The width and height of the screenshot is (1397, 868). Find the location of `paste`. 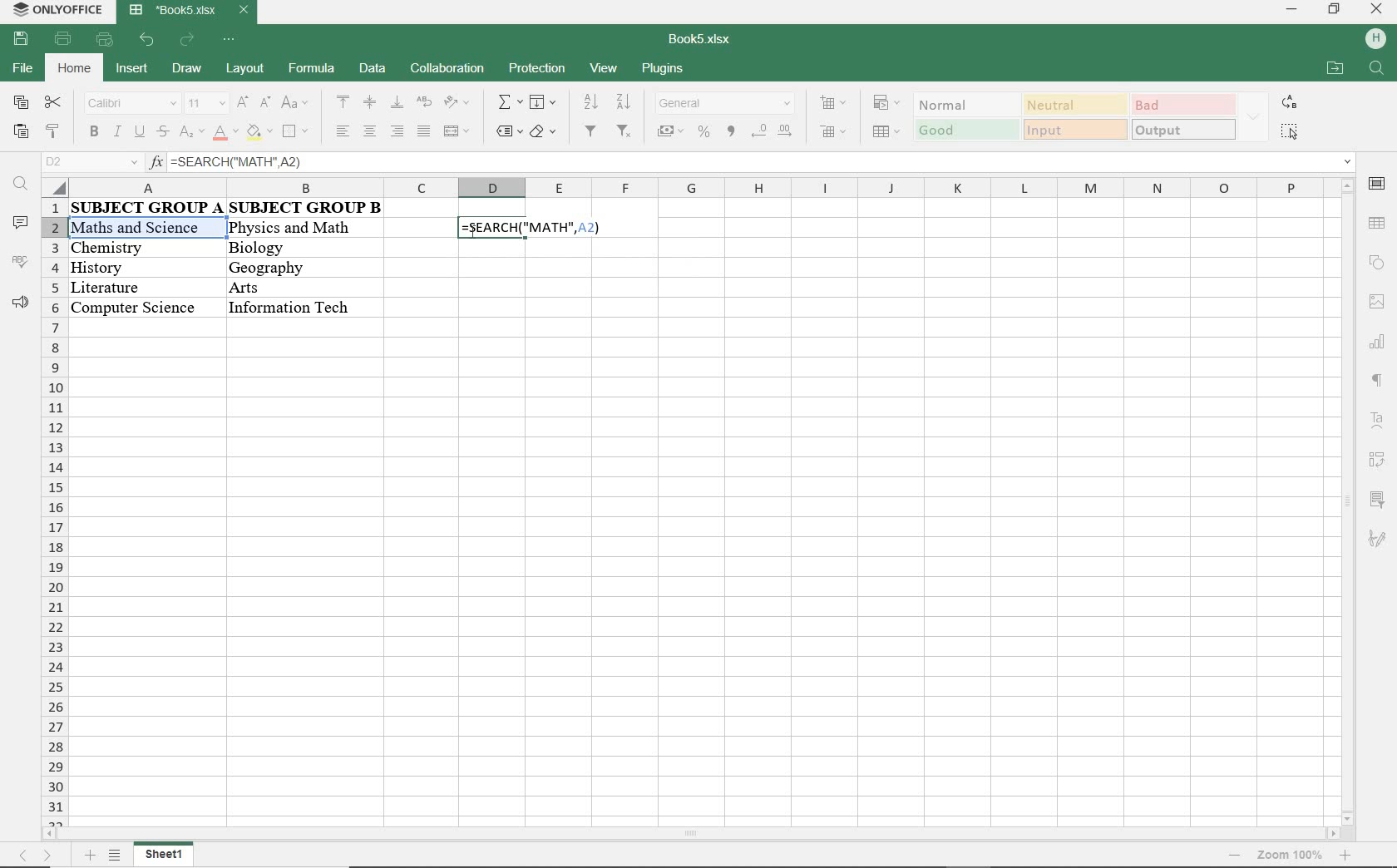

paste is located at coordinates (19, 132).